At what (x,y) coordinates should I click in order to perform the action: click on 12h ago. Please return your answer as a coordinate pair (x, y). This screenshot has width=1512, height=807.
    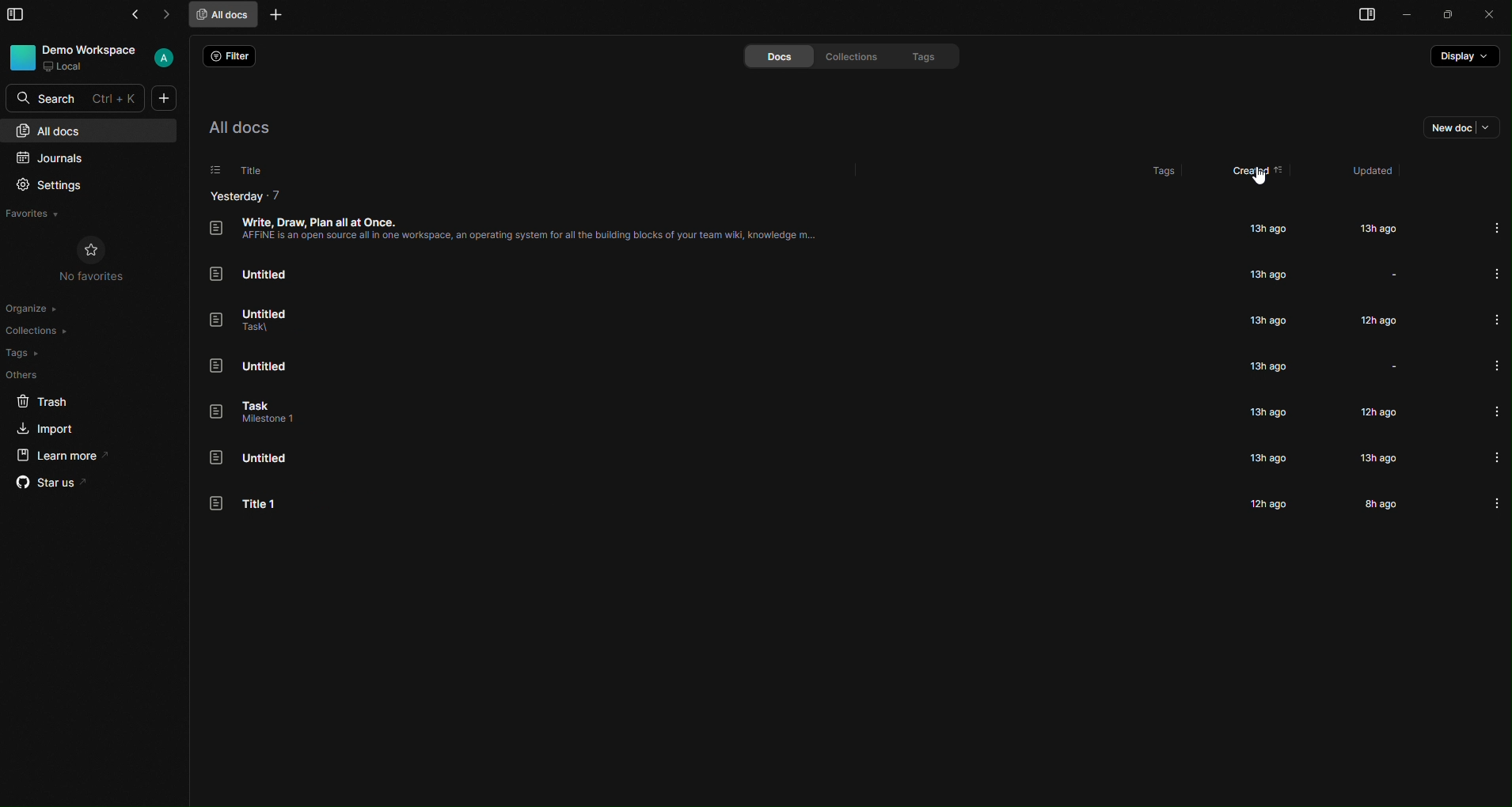
    Looking at the image, I should click on (1374, 320).